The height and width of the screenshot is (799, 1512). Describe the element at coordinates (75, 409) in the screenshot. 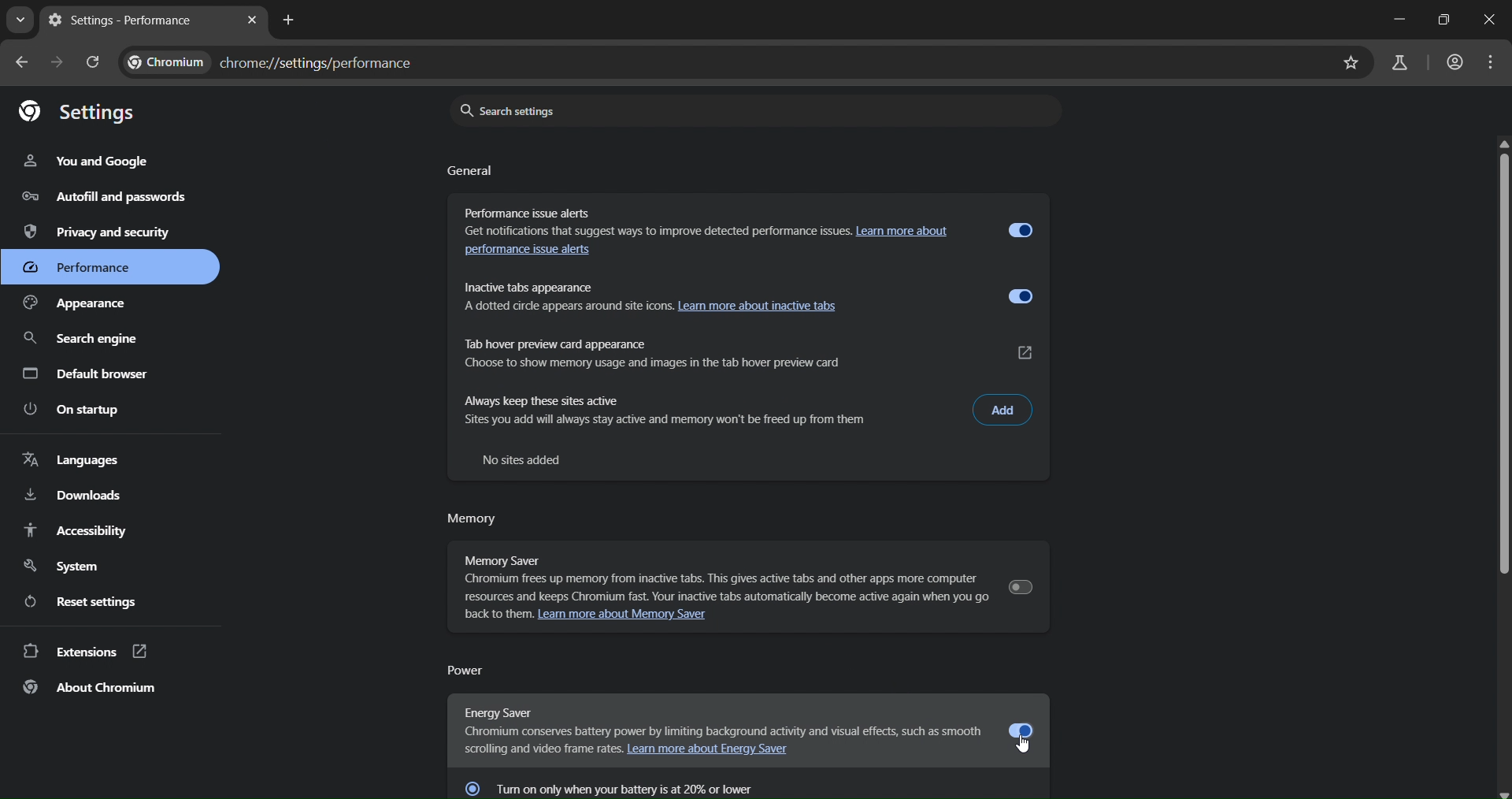

I see `on startup` at that location.